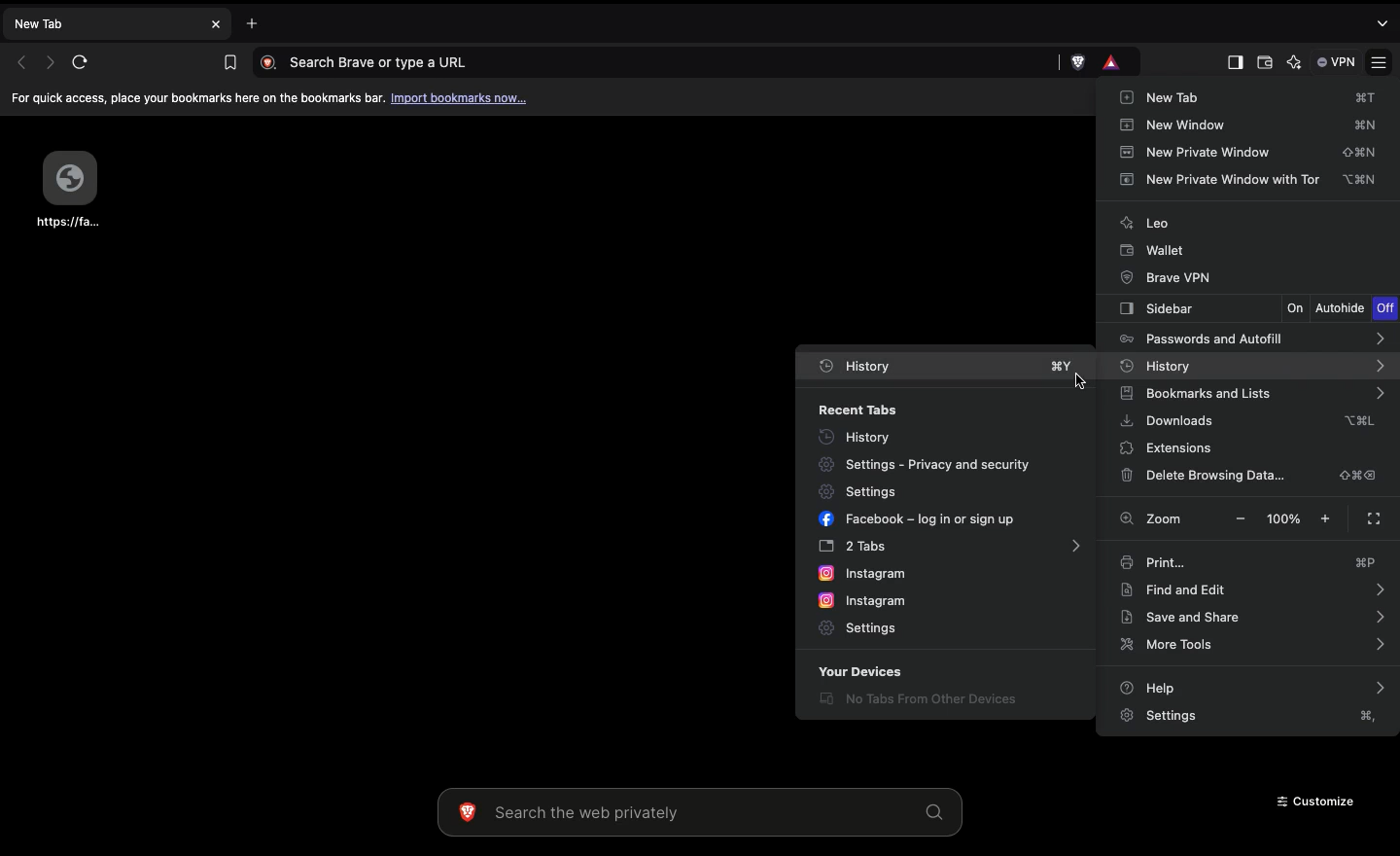 The height and width of the screenshot is (856, 1400). Describe the element at coordinates (1233, 62) in the screenshot. I see `Sidebar` at that location.